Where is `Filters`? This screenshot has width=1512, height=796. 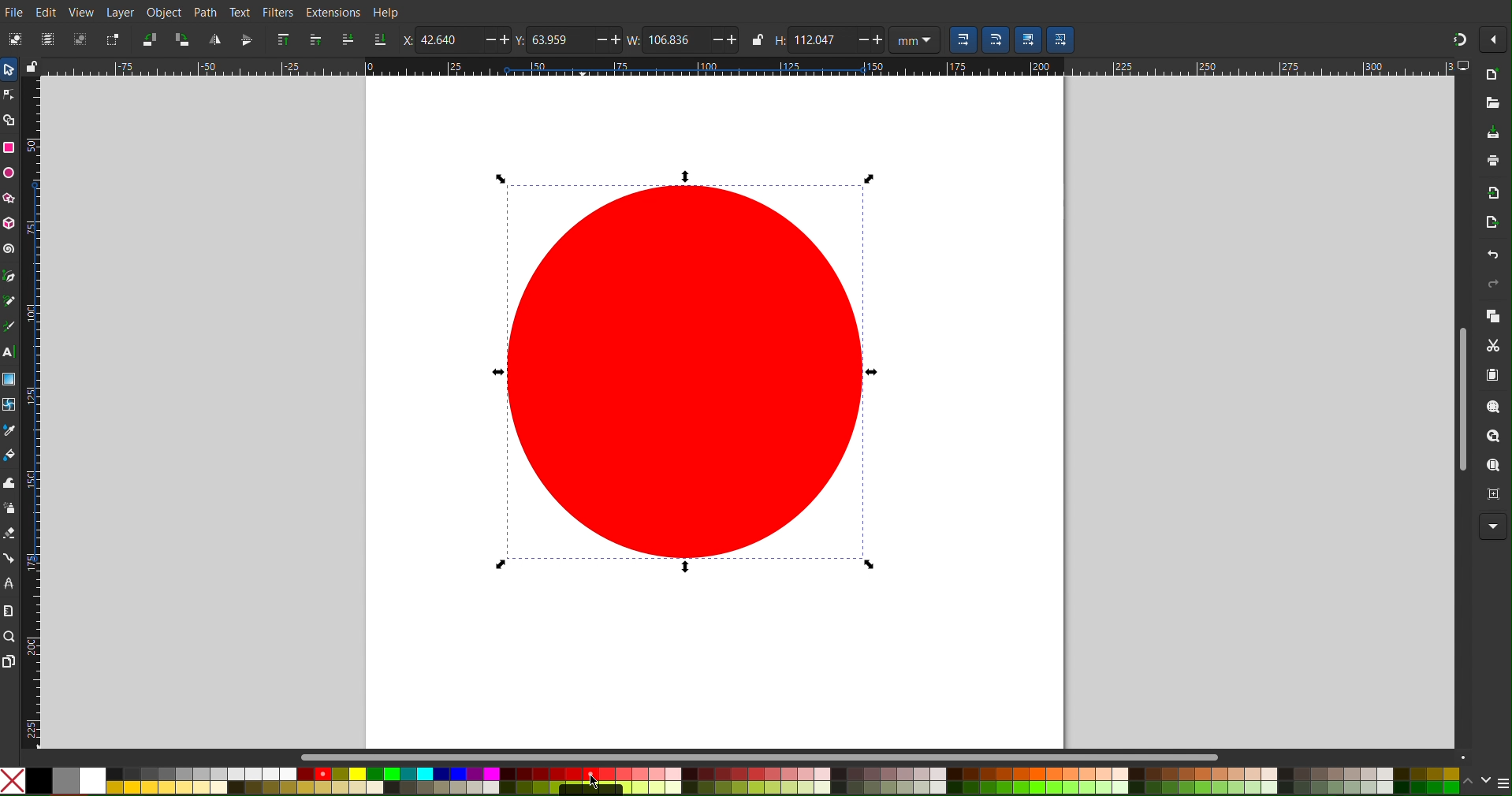 Filters is located at coordinates (280, 11).